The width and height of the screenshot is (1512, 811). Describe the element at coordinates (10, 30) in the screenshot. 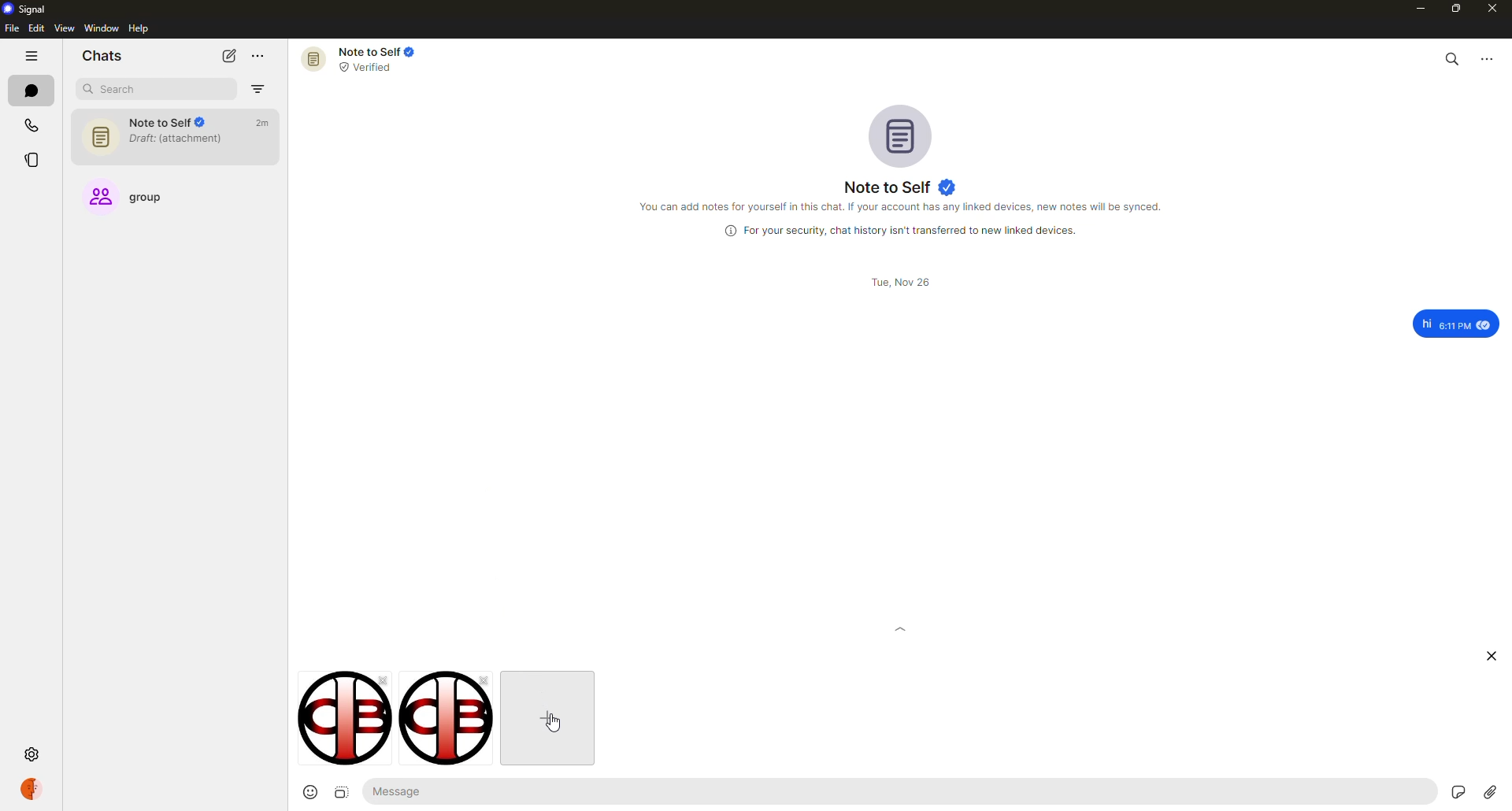

I see `file` at that location.